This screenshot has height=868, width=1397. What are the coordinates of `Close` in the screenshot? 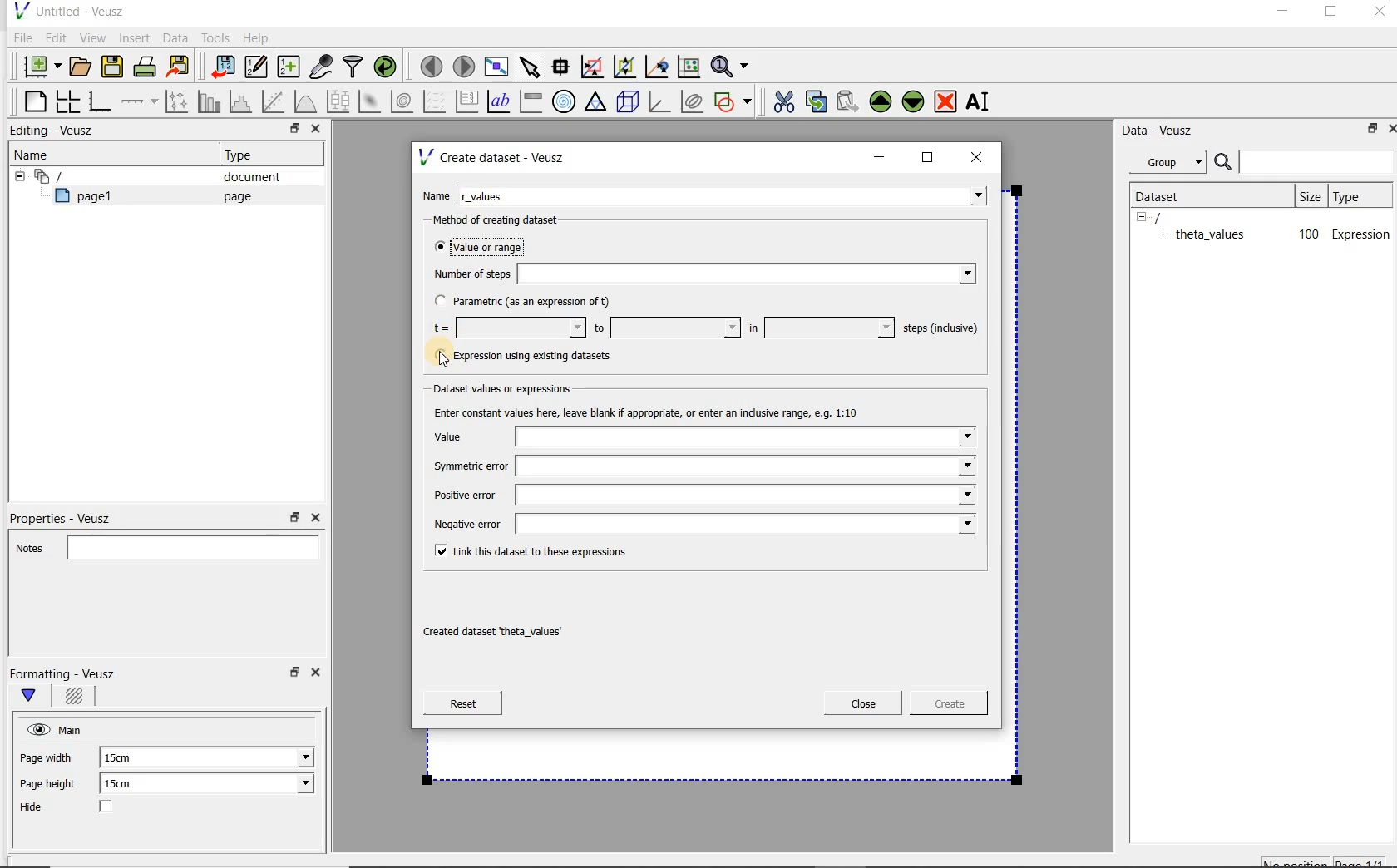 It's located at (1378, 14).